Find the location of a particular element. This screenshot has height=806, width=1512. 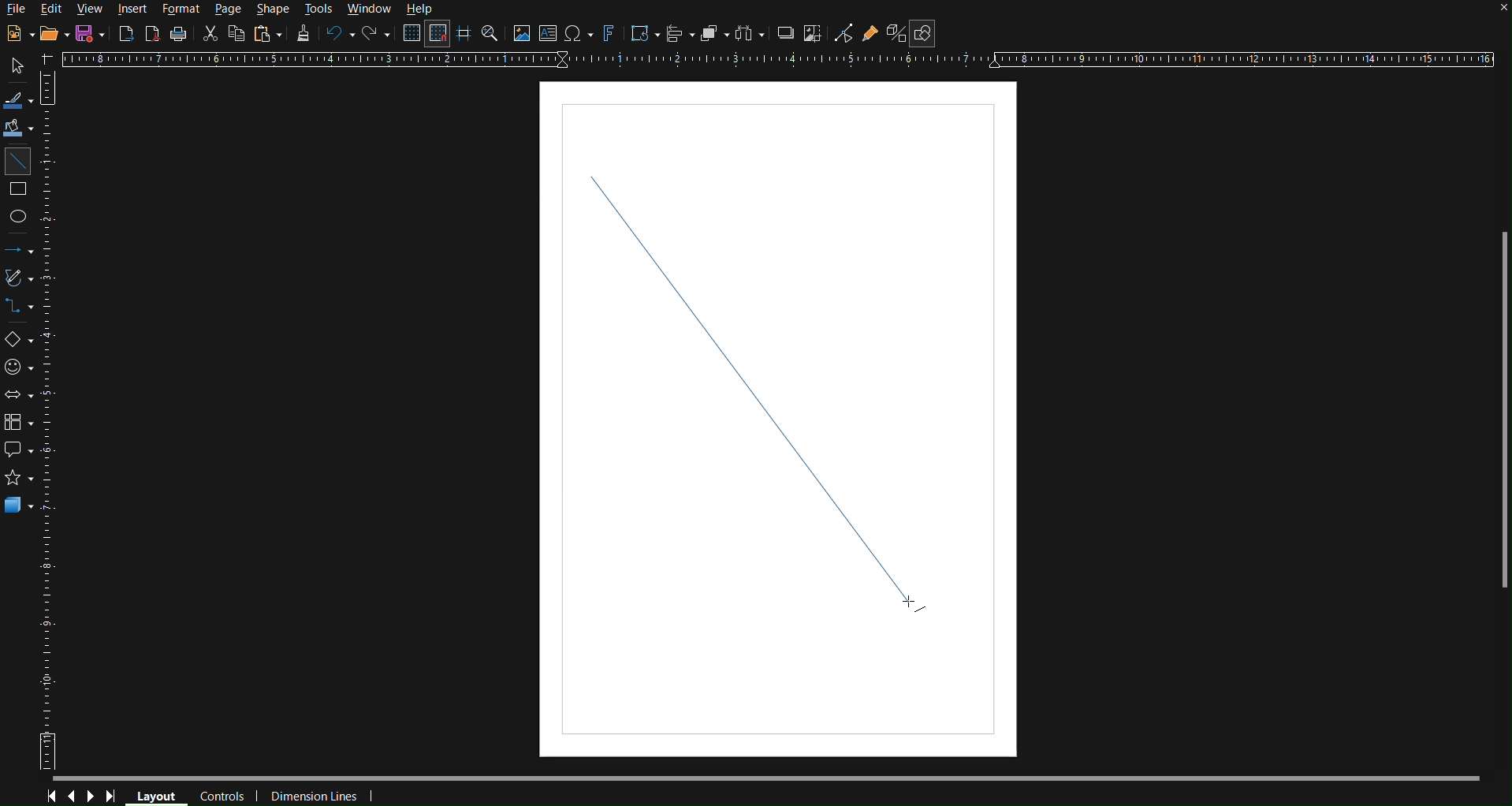

Export PDF is located at coordinates (154, 34).